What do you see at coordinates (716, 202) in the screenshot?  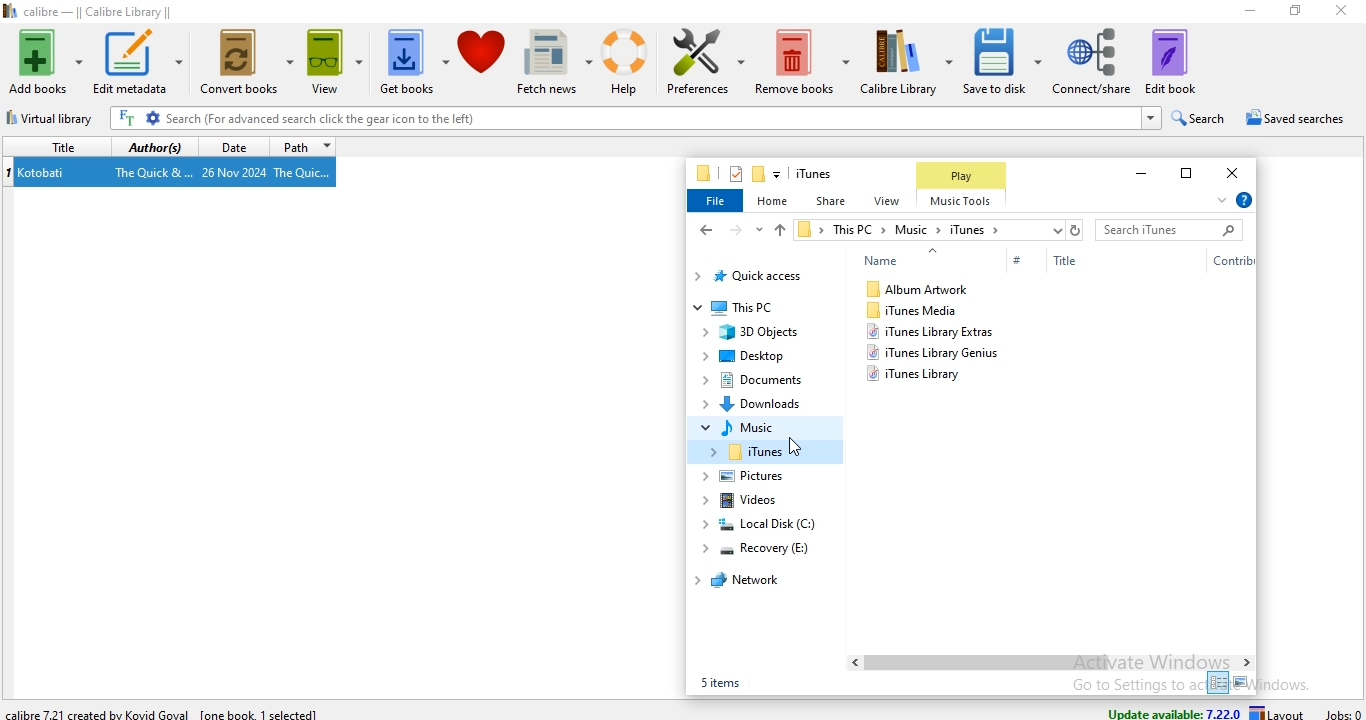 I see `file` at bounding box center [716, 202].